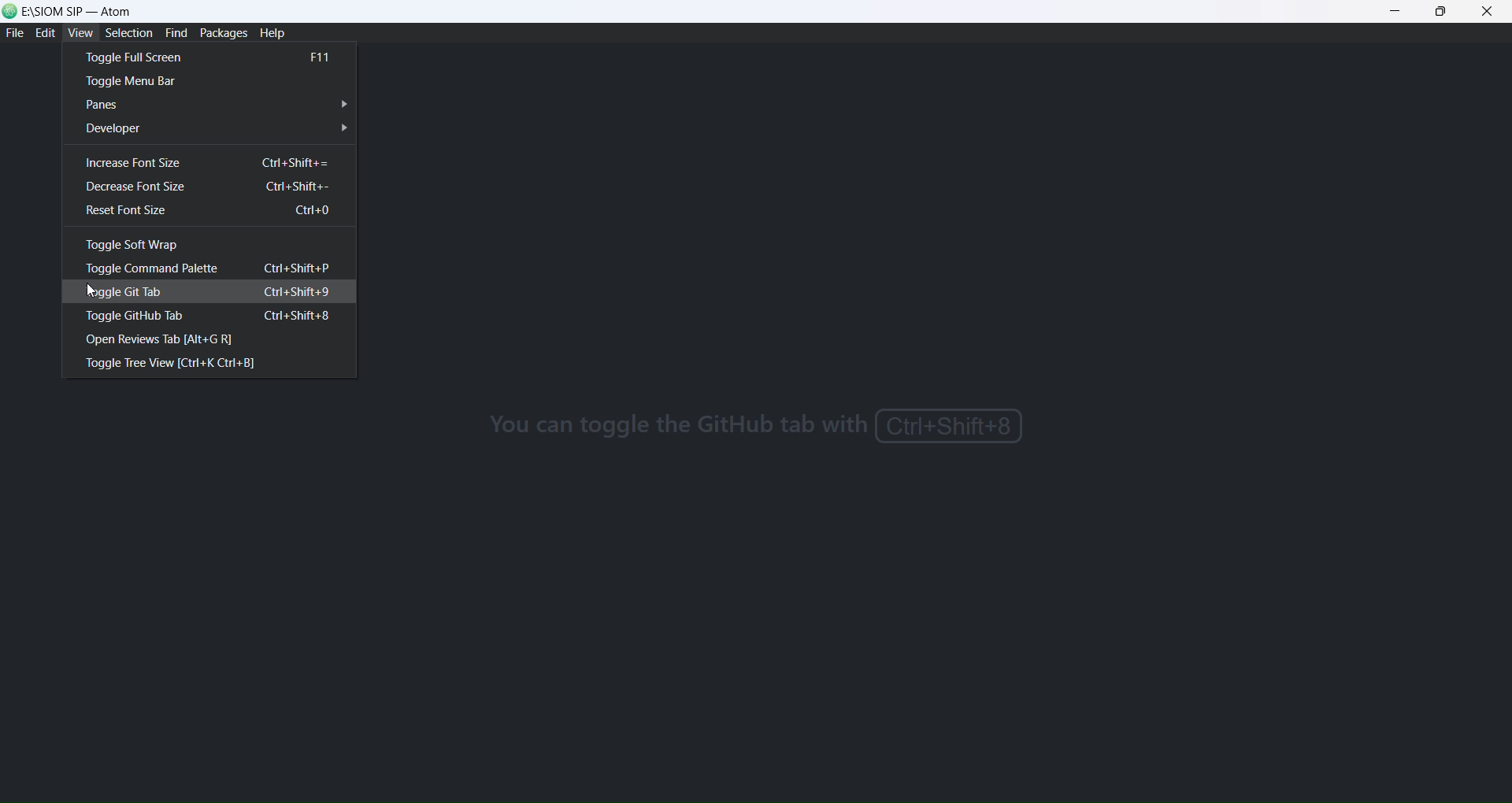  I want to click on decrease font size, so click(205, 187).